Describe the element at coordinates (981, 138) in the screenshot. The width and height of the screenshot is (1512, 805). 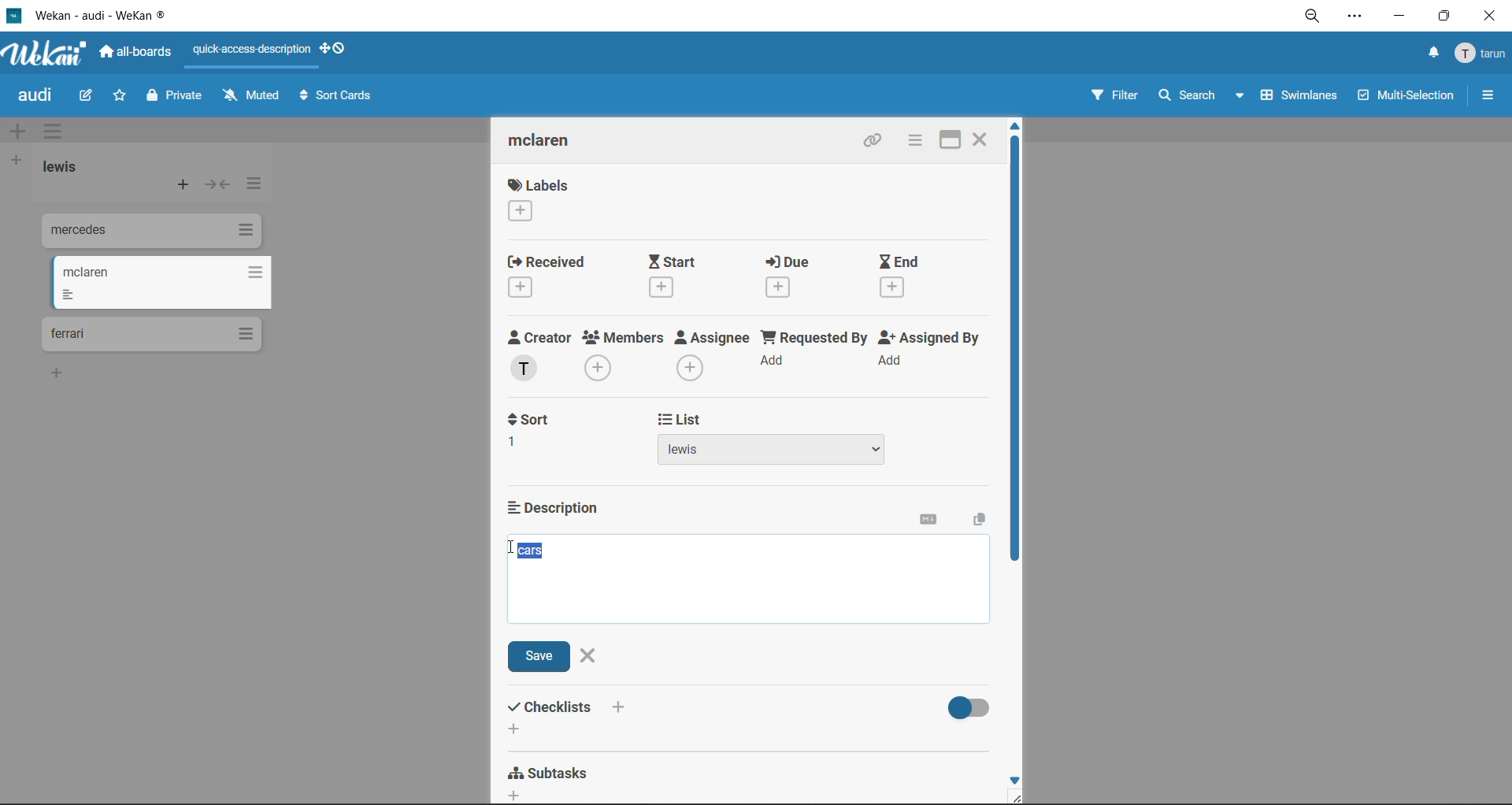
I see `close` at that location.